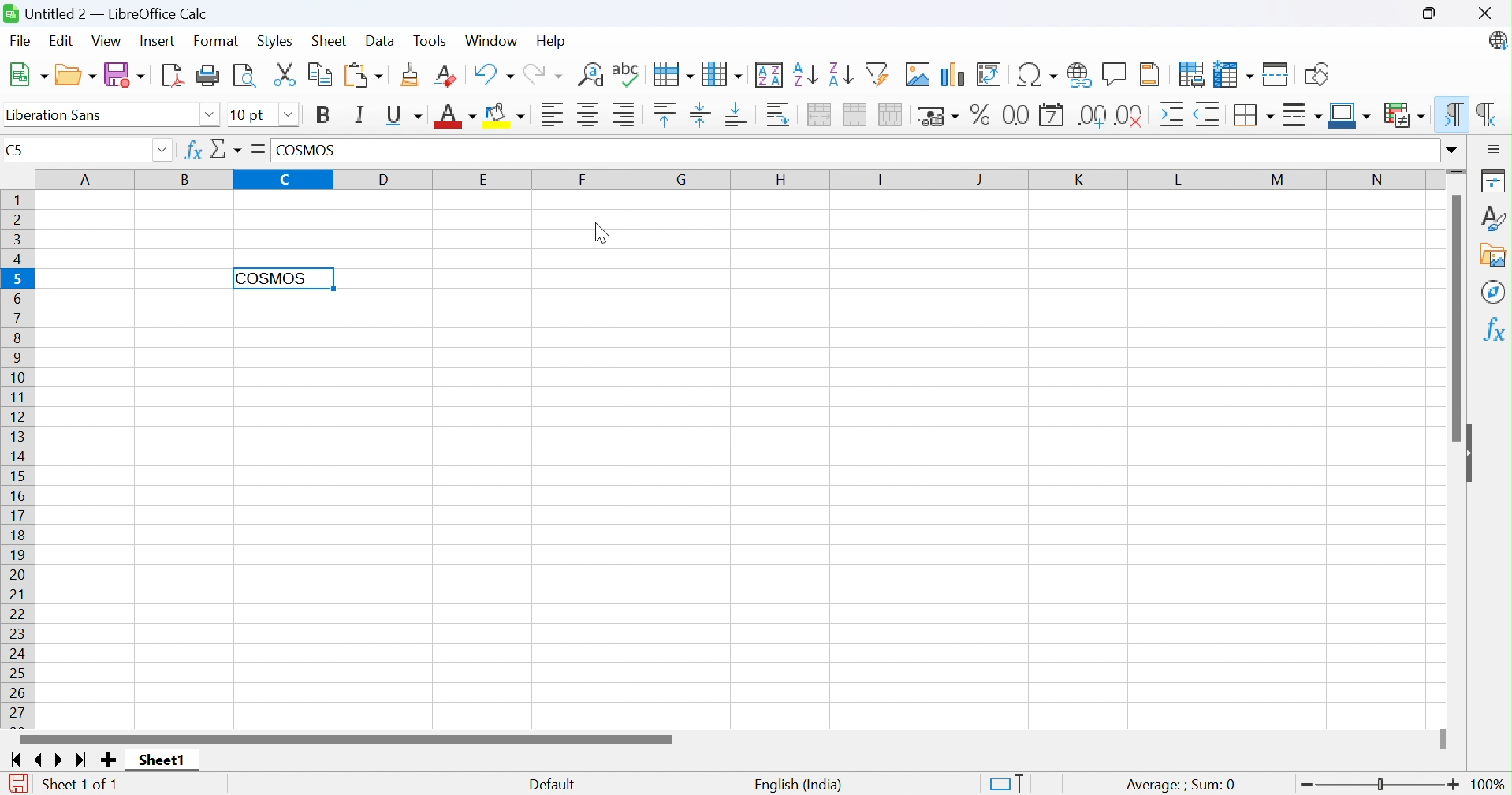 The height and width of the screenshot is (795, 1512). Describe the element at coordinates (1455, 173) in the screenshot. I see `Slider` at that location.